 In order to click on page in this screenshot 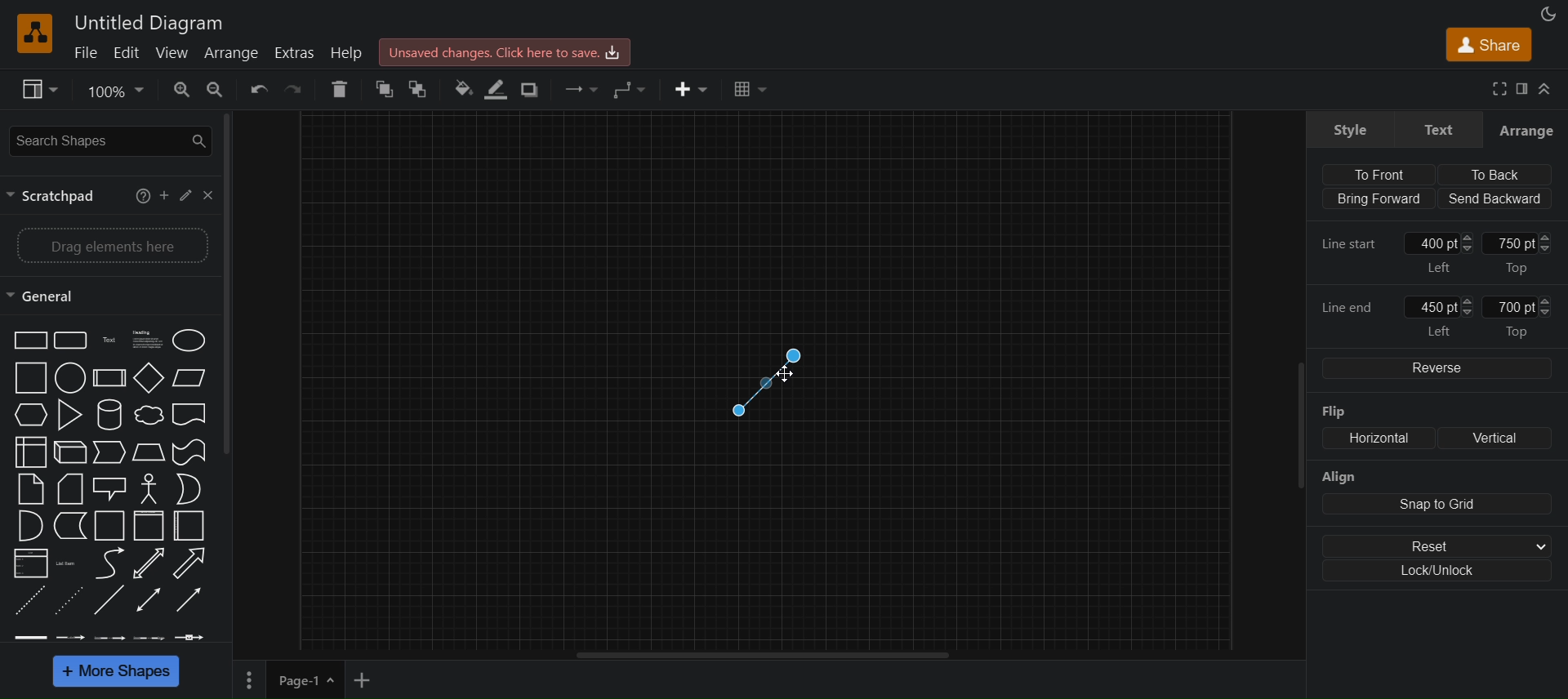, I will do `click(250, 679)`.